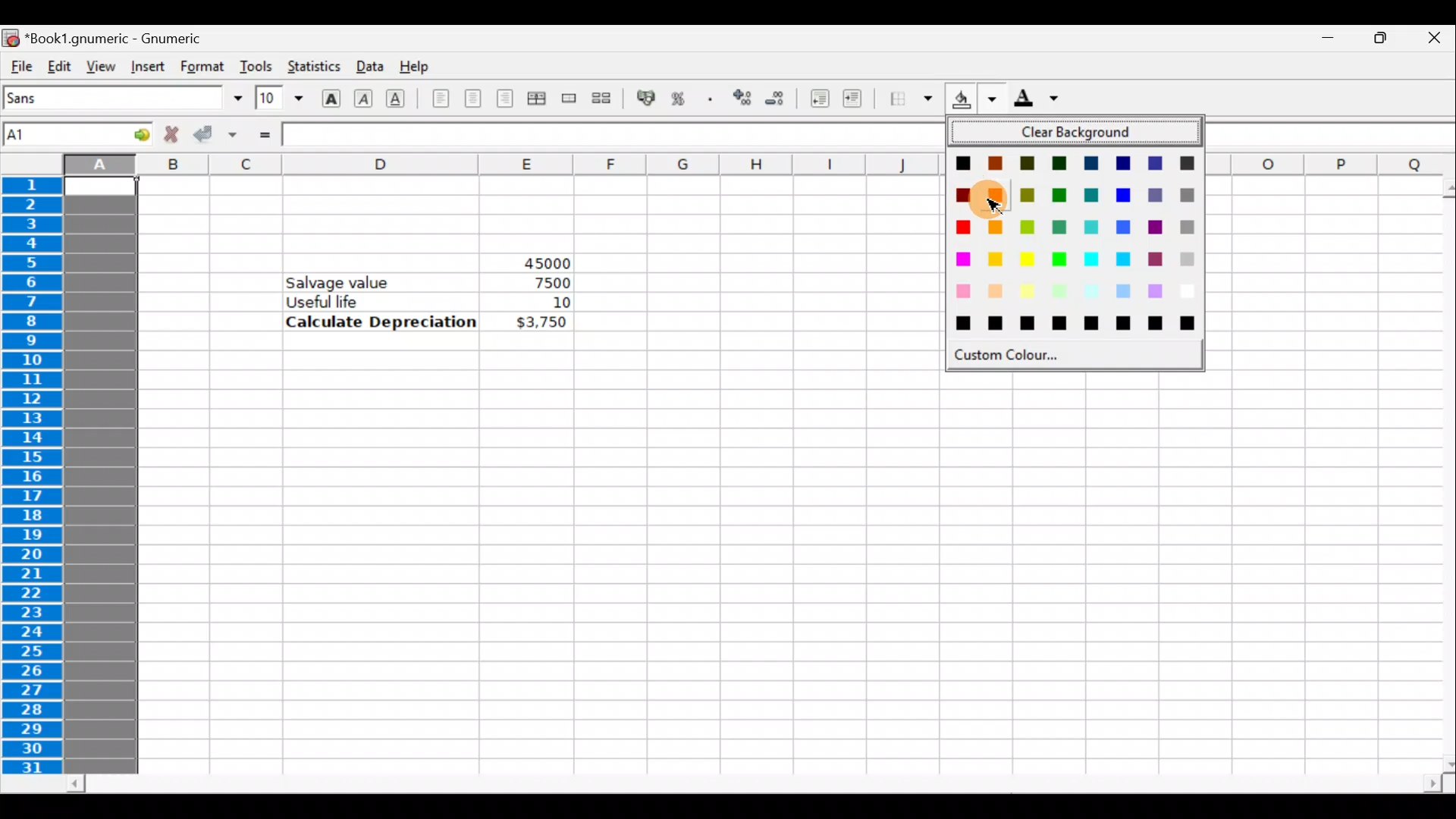 The width and height of the screenshot is (1456, 819). Describe the element at coordinates (167, 135) in the screenshot. I see `Reject change` at that location.